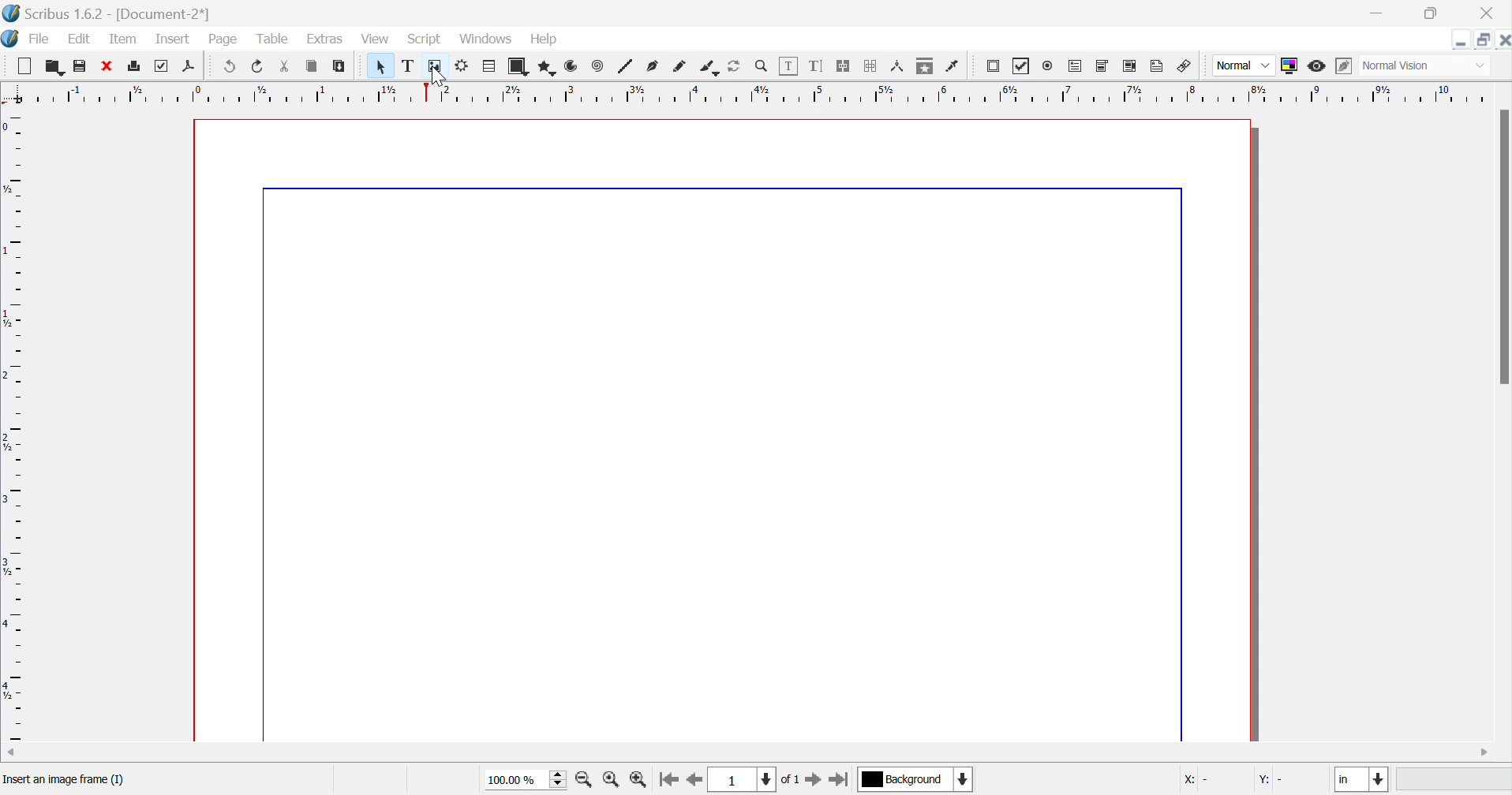 This screenshot has width=1512, height=795. What do you see at coordinates (485, 40) in the screenshot?
I see `windows` at bounding box center [485, 40].